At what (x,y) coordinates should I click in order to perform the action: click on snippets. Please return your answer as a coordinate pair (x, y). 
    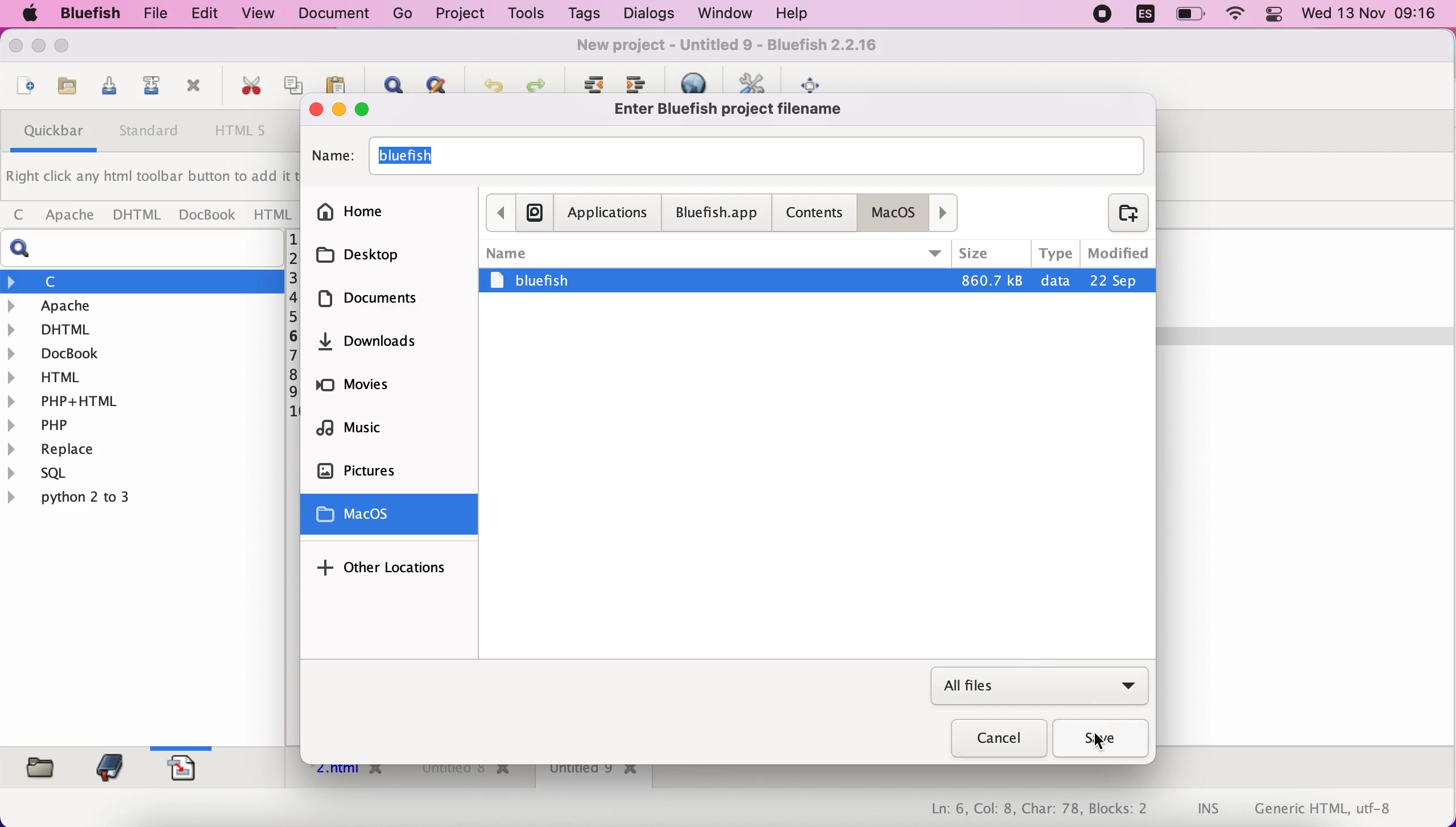
    Looking at the image, I should click on (188, 766).